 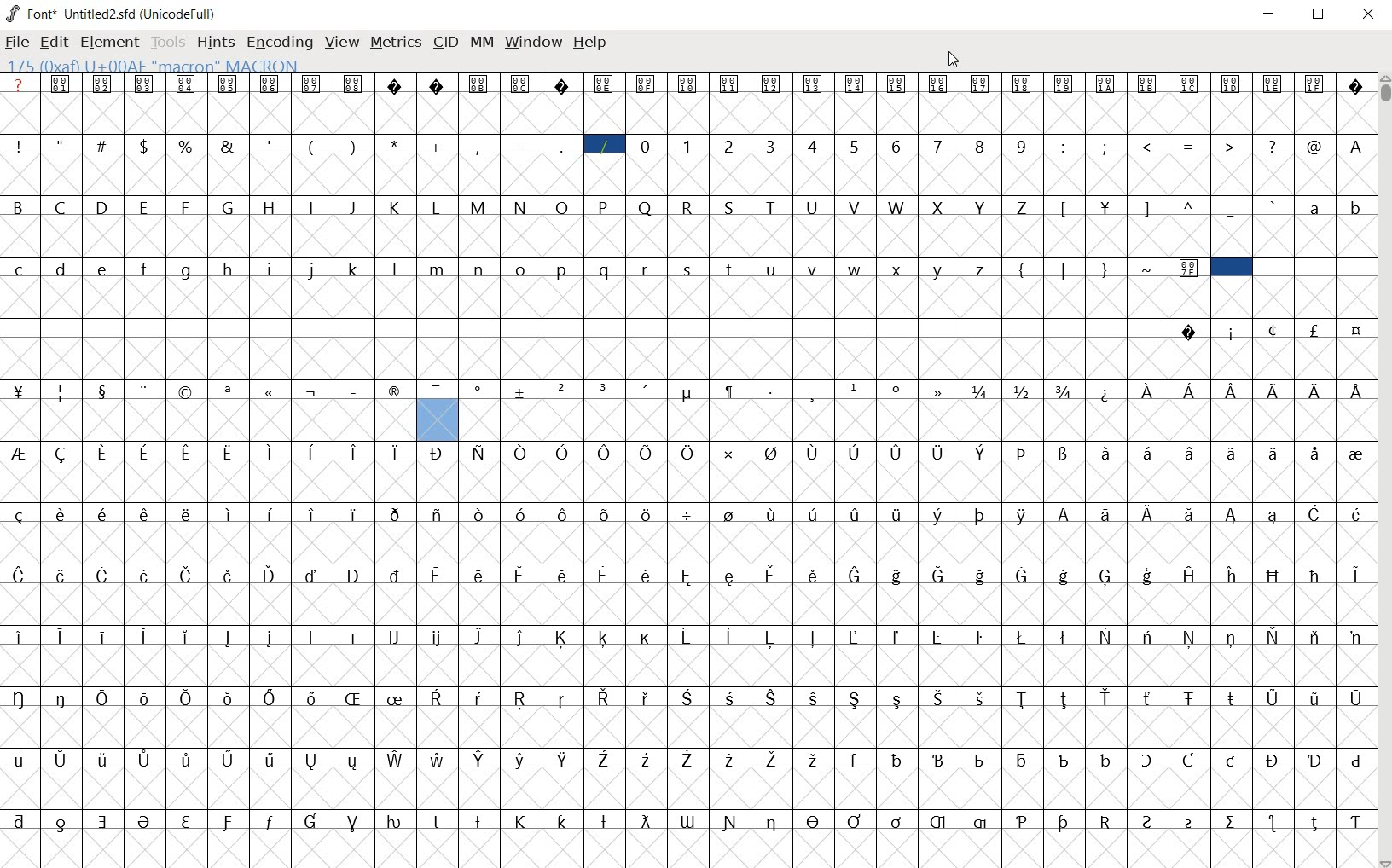 I want to click on Symbol, so click(x=146, y=84).